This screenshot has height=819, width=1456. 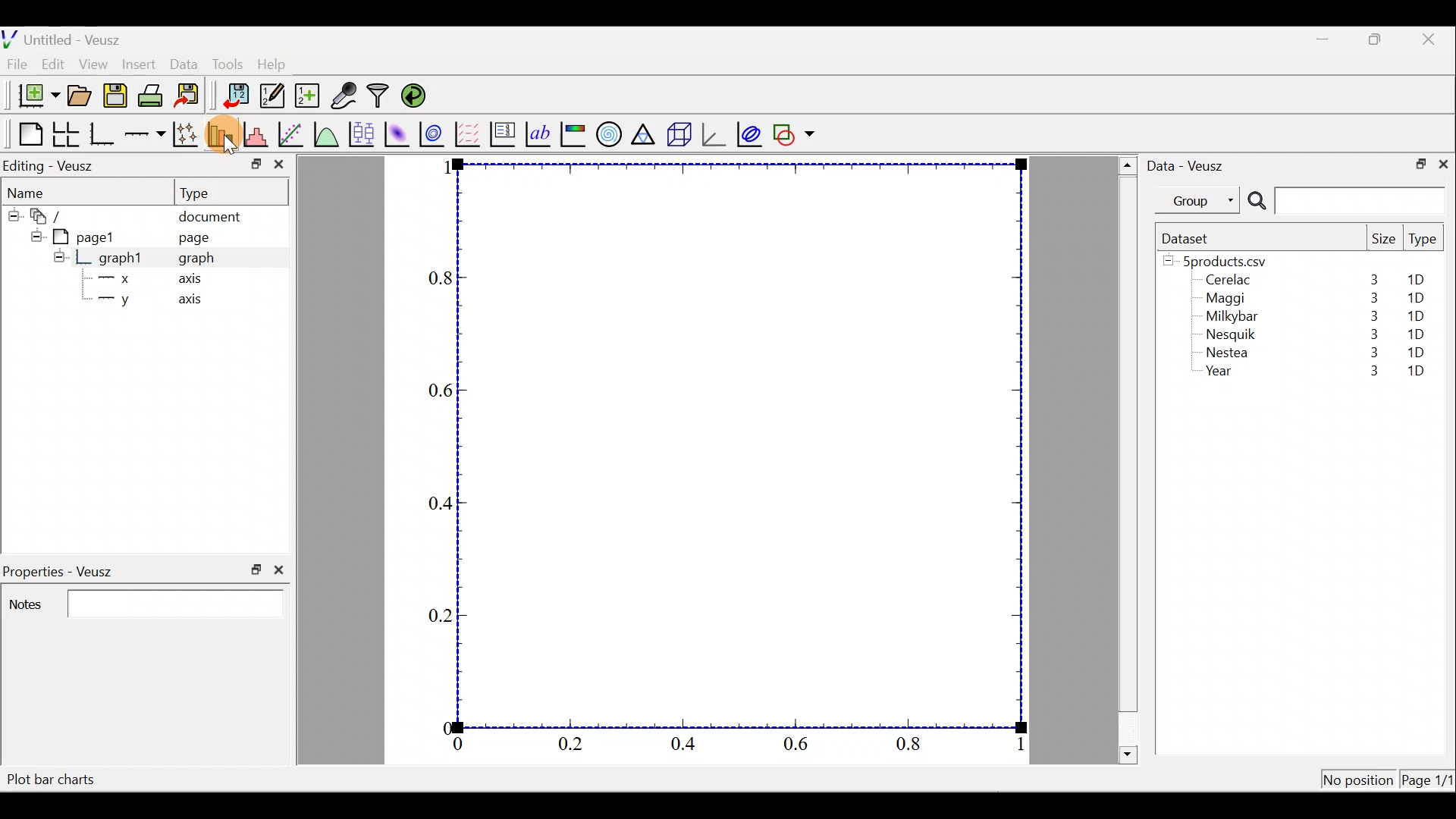 What do you see at coordinates (1223, 260) in the screenshot?
I see `5products.csv` at bounding box center [1223, 260].